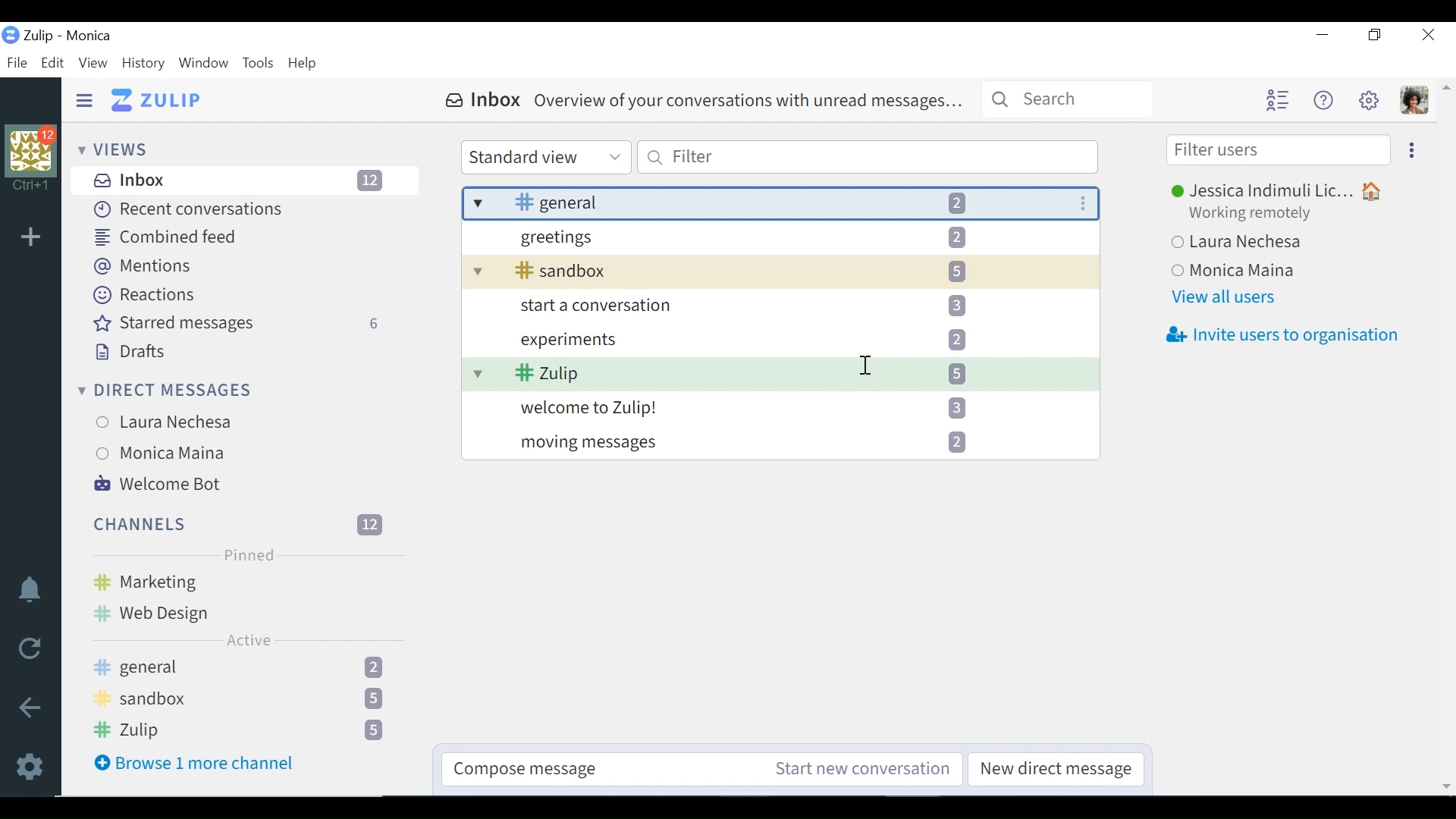 The width and height of the screenshot is (1456, 819). Describe the element at coordinates (145, 64) in the screenshot. I see `History` at that location.